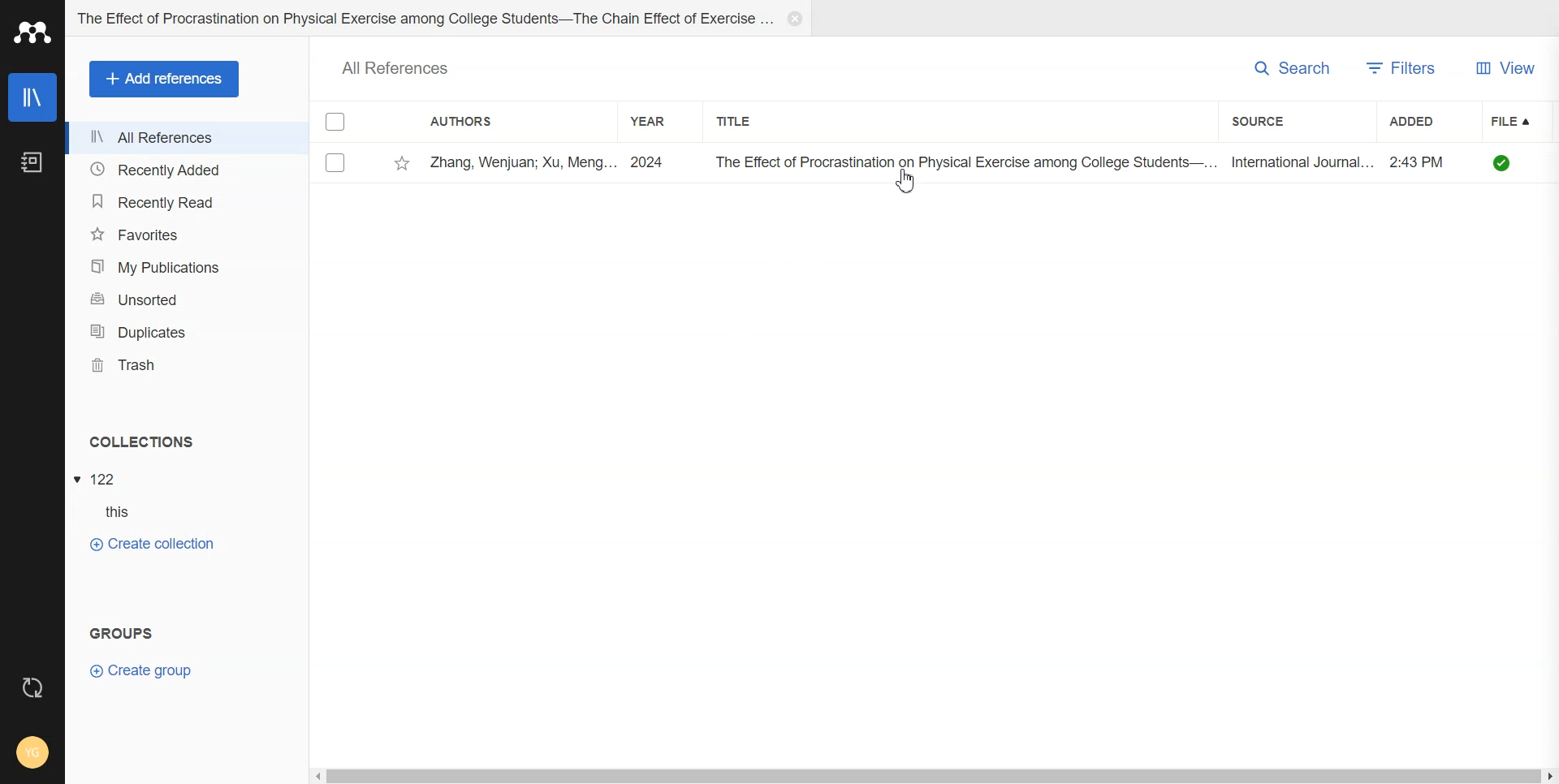 This screenshot has width=1559, height=784. I want to click on Unsorted, so click(187, 298).